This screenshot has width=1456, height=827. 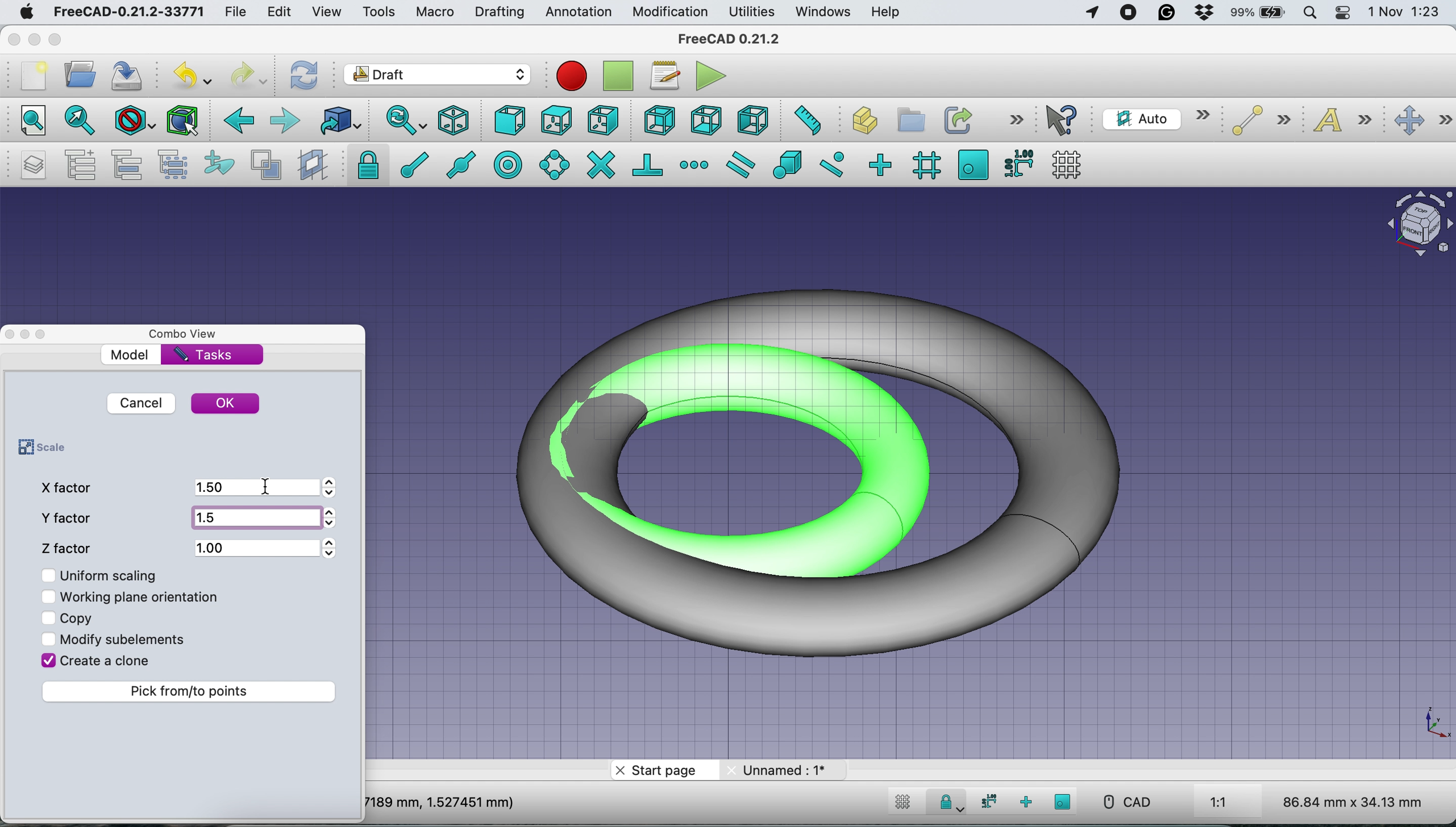 What do you see at coordinates (81, 164) in the screenshot?
I see `add a new named group` at bounding box center [81, 164].